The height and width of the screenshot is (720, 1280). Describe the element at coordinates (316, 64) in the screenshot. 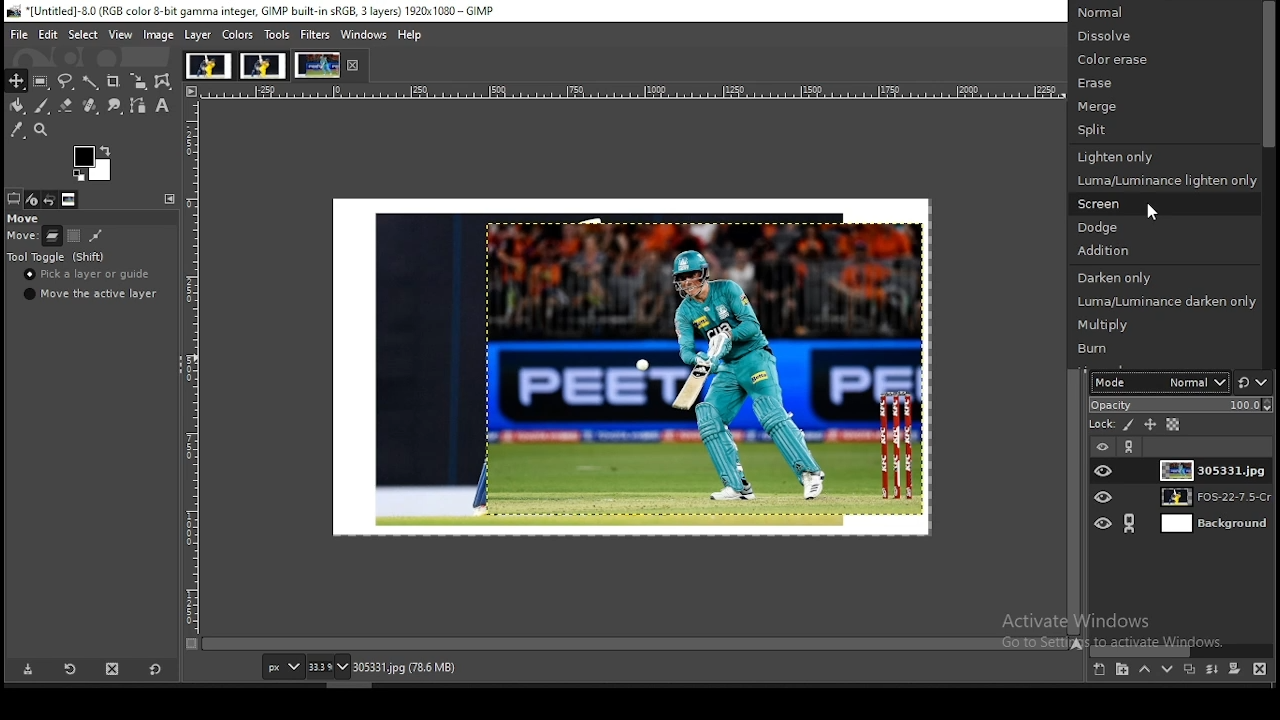

I see `image` at that location.